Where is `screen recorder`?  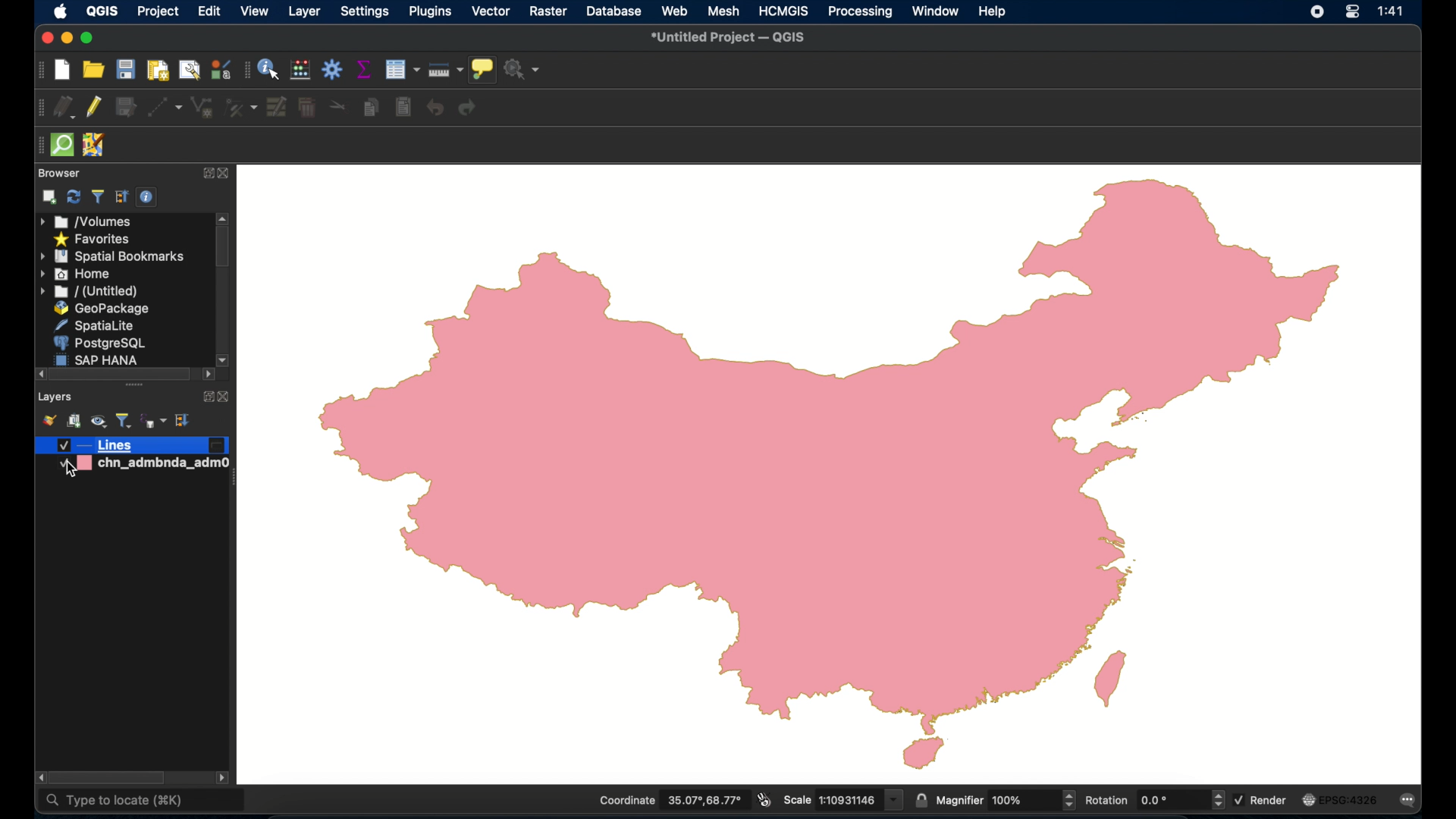
screen recorder is located at coordinates (1316, 13).